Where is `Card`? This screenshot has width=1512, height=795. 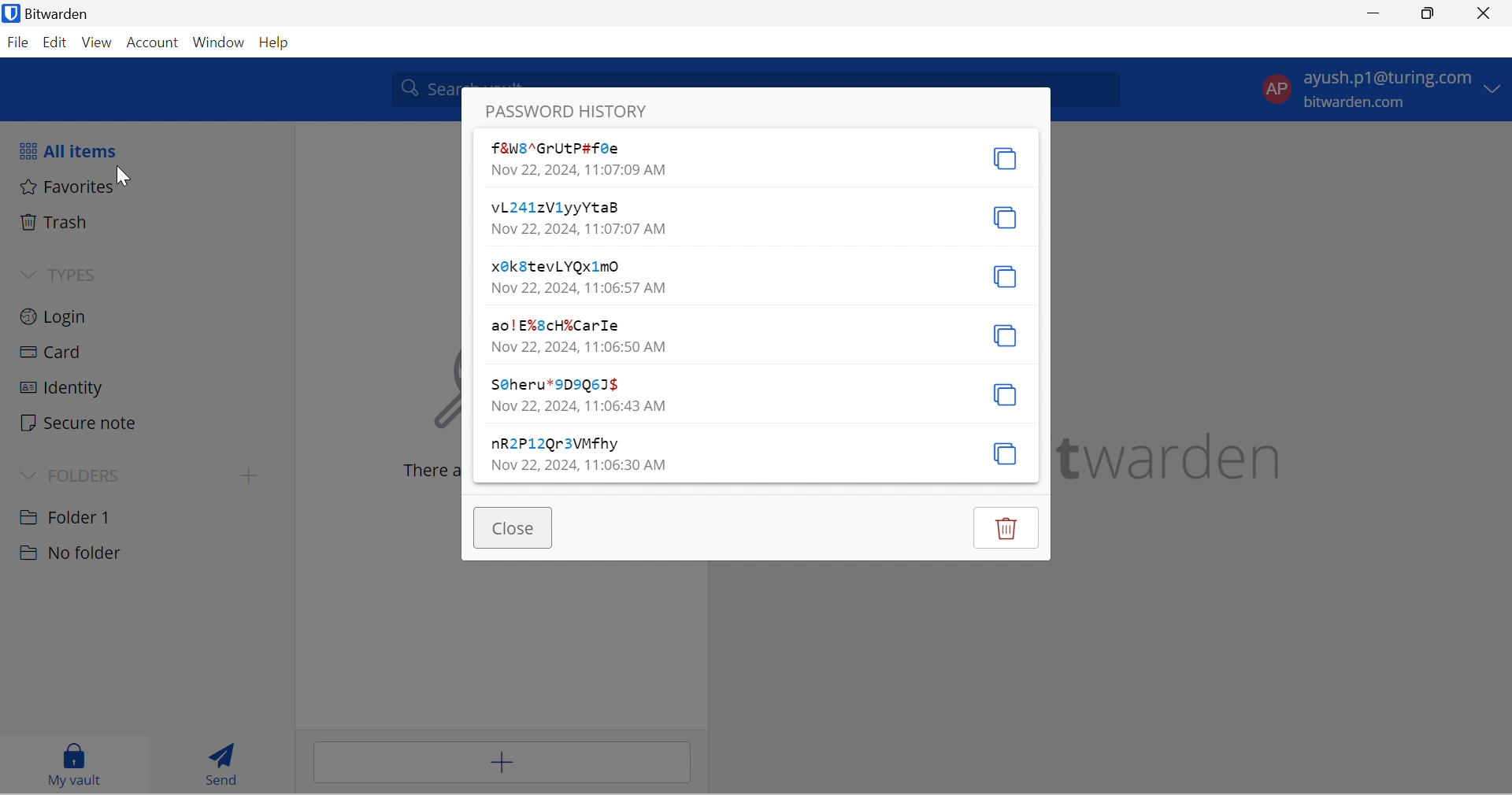
Card is located at coordinates (61, 353).